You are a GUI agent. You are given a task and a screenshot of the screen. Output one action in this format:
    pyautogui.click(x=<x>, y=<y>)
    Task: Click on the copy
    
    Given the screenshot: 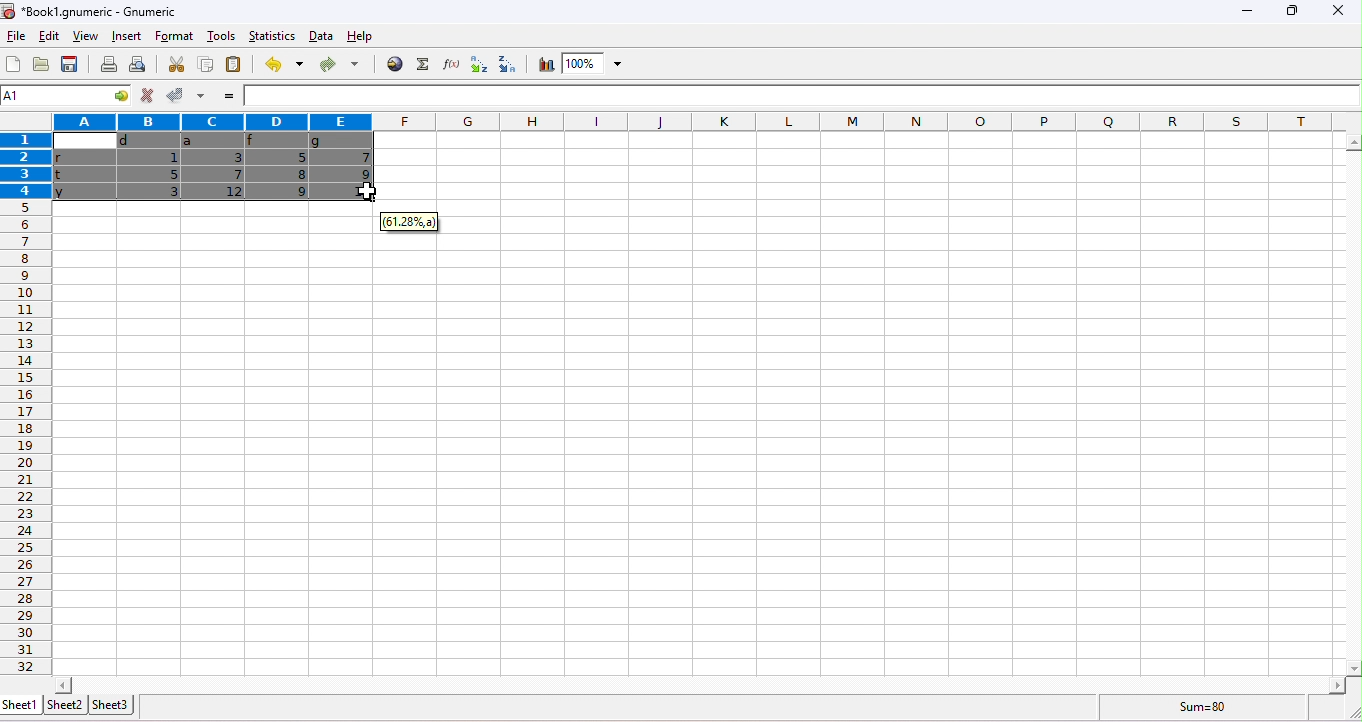 What is the action you would take?
    pyautogui.click(x=203, y=64)
    